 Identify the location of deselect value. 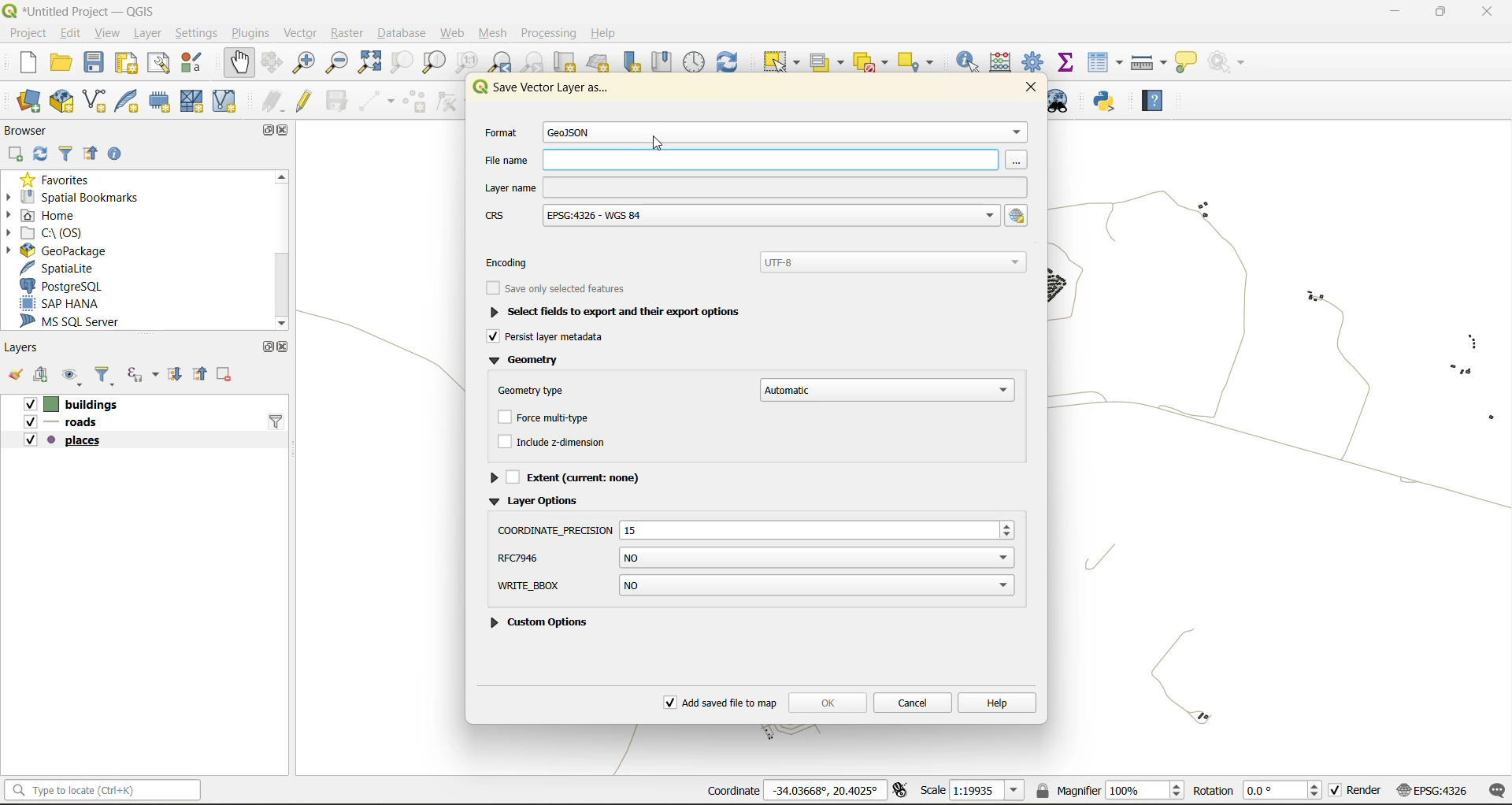
(869, 61).